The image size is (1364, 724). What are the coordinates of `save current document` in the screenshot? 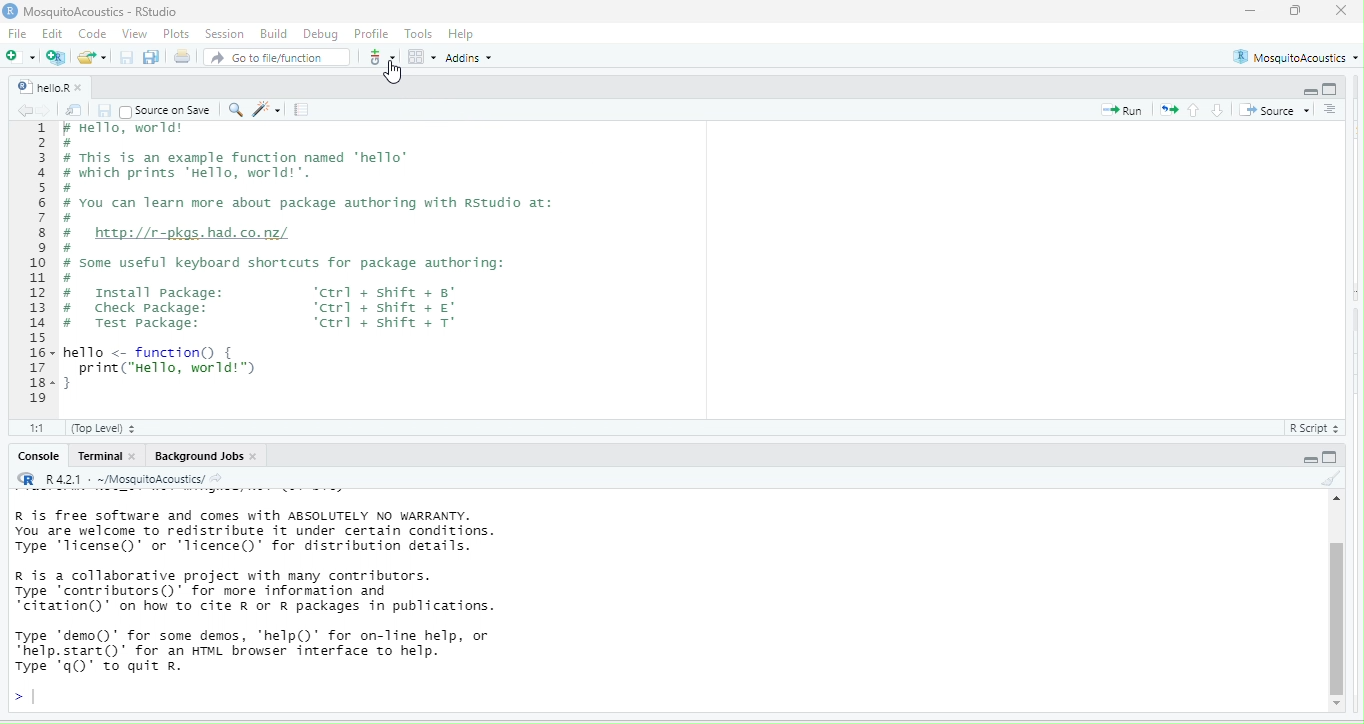 It's located at (125, 57).